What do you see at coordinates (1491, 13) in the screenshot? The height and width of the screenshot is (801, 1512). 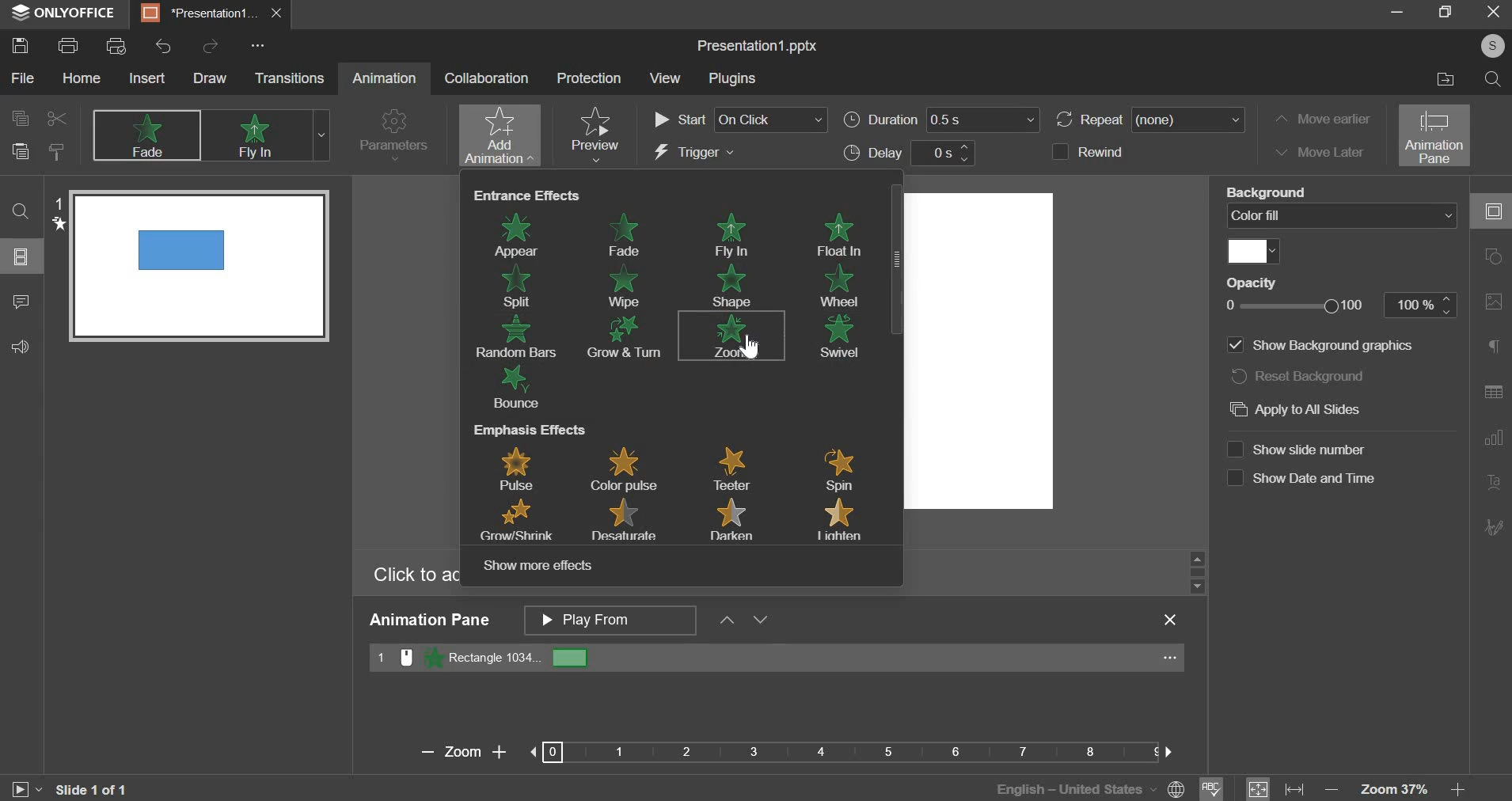 I see `exit` at bounding box center [1491, 13].